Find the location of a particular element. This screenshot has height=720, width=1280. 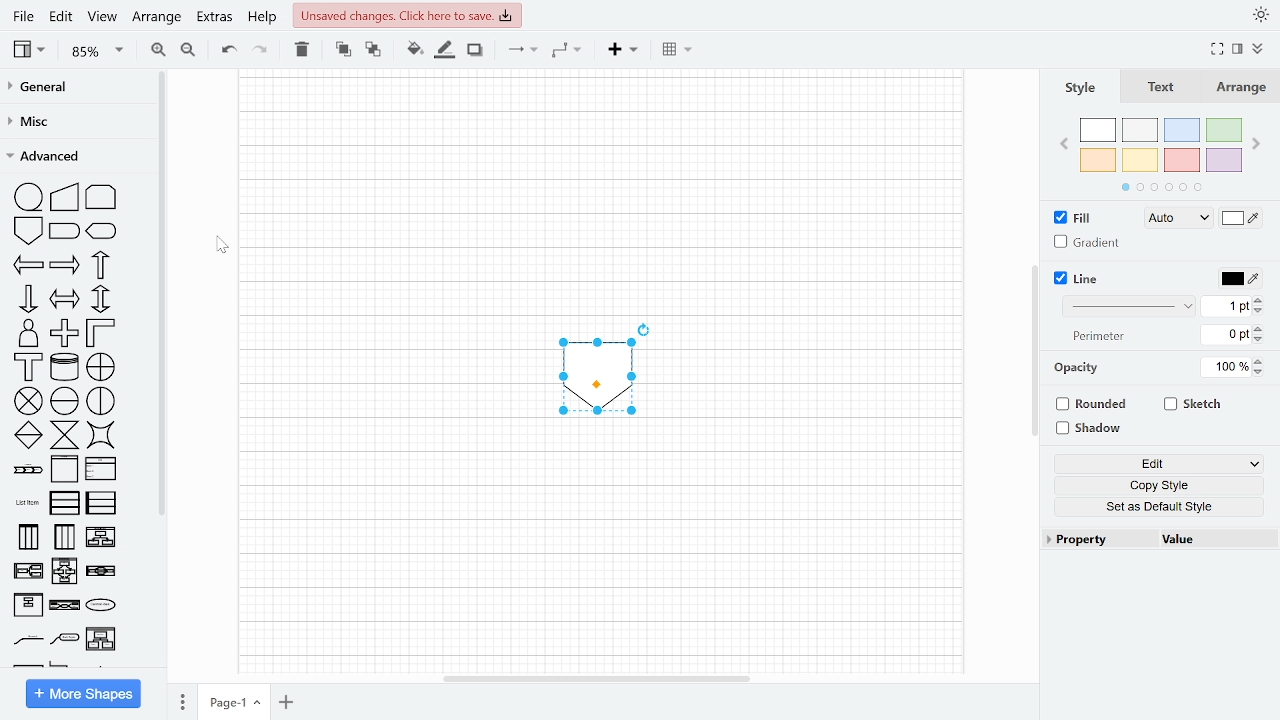

horizontal pool 2 is located at coordinates (101, 505).